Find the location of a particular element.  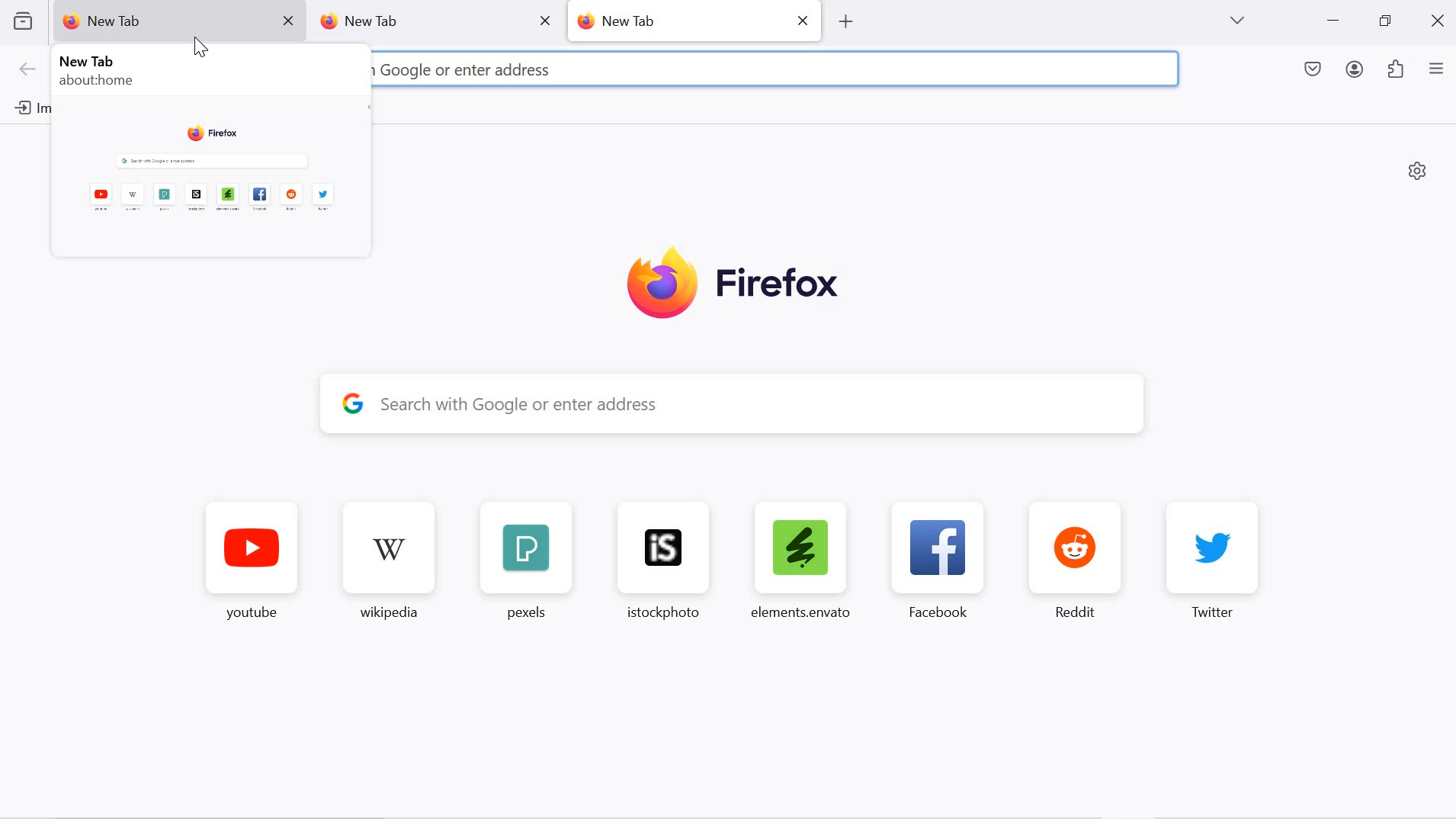

new tab is located at coordinates (413, 22).